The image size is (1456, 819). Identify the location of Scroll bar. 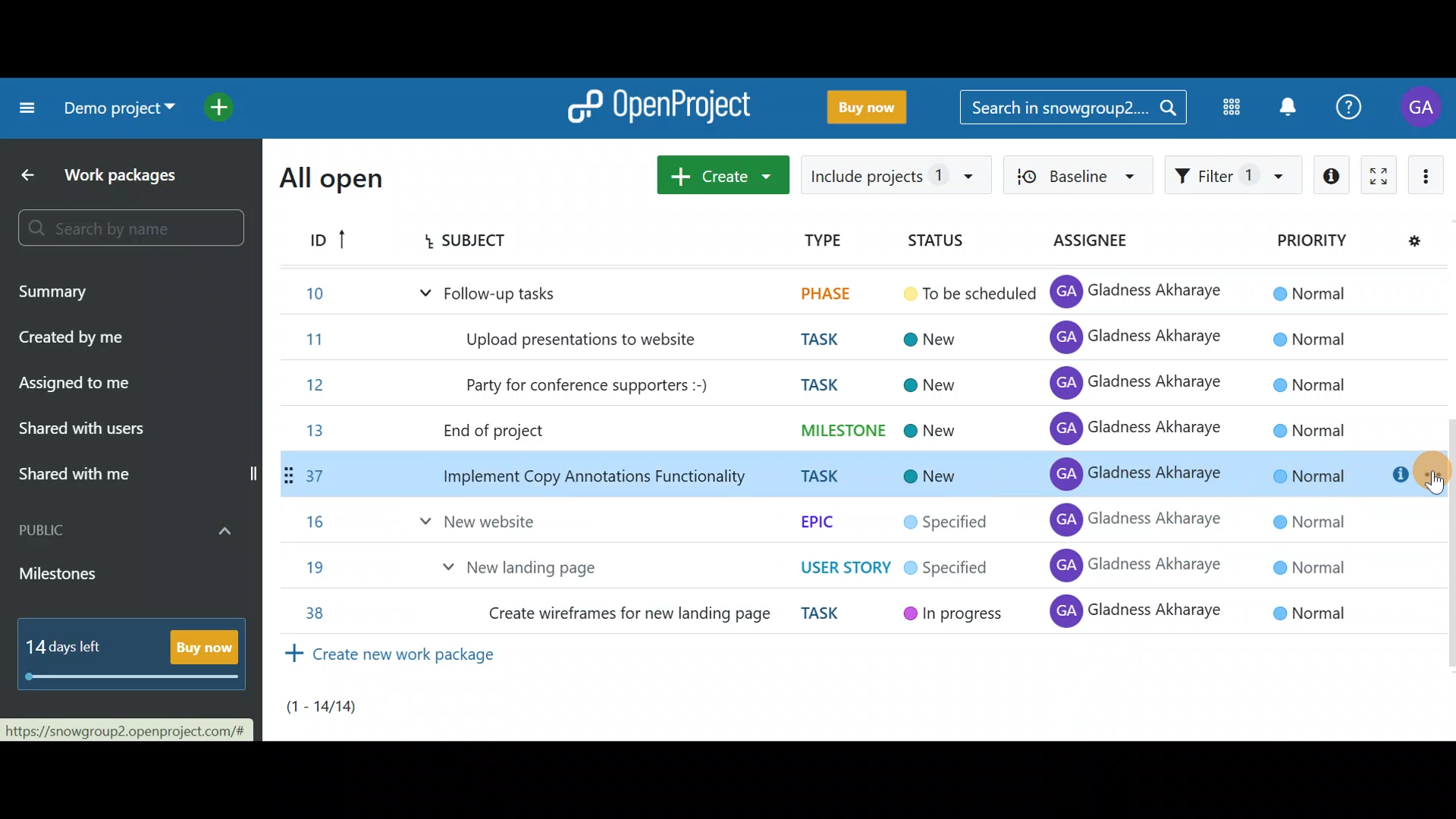
(1447, 554).